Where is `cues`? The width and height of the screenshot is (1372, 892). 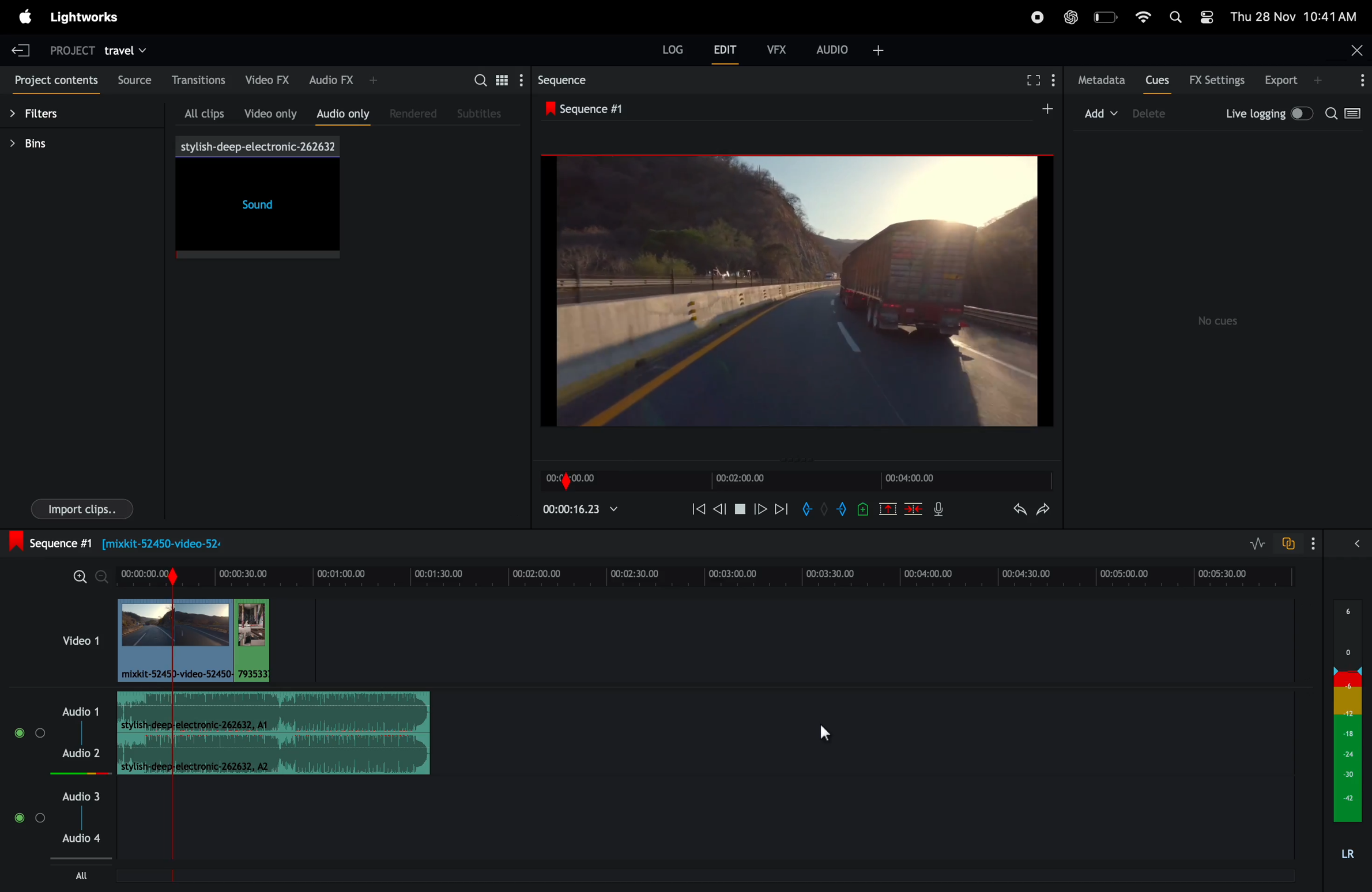
cues is located at coordinates (1156, 80).